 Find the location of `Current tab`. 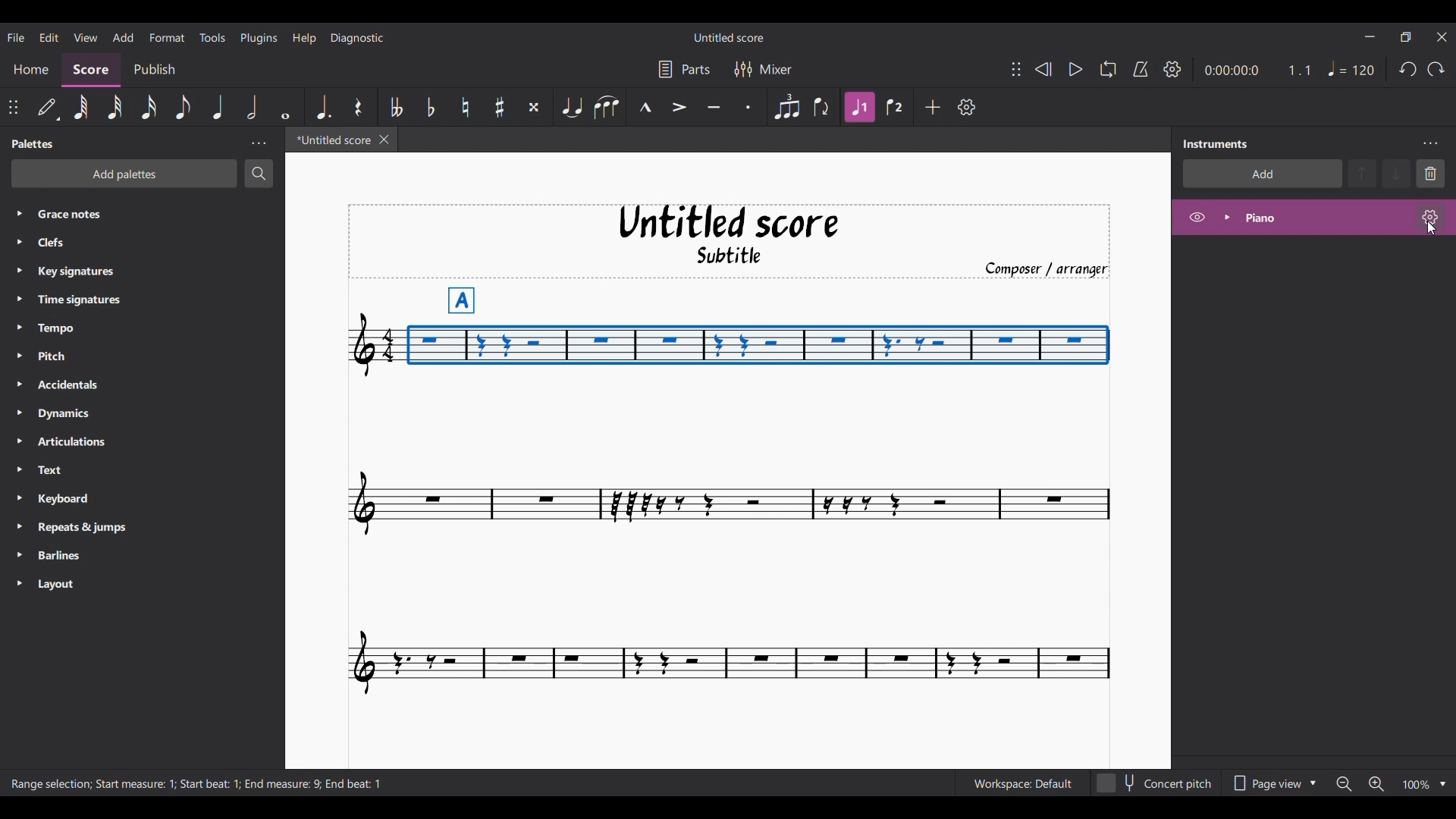

Current tab is located at coordinates (329, 140).